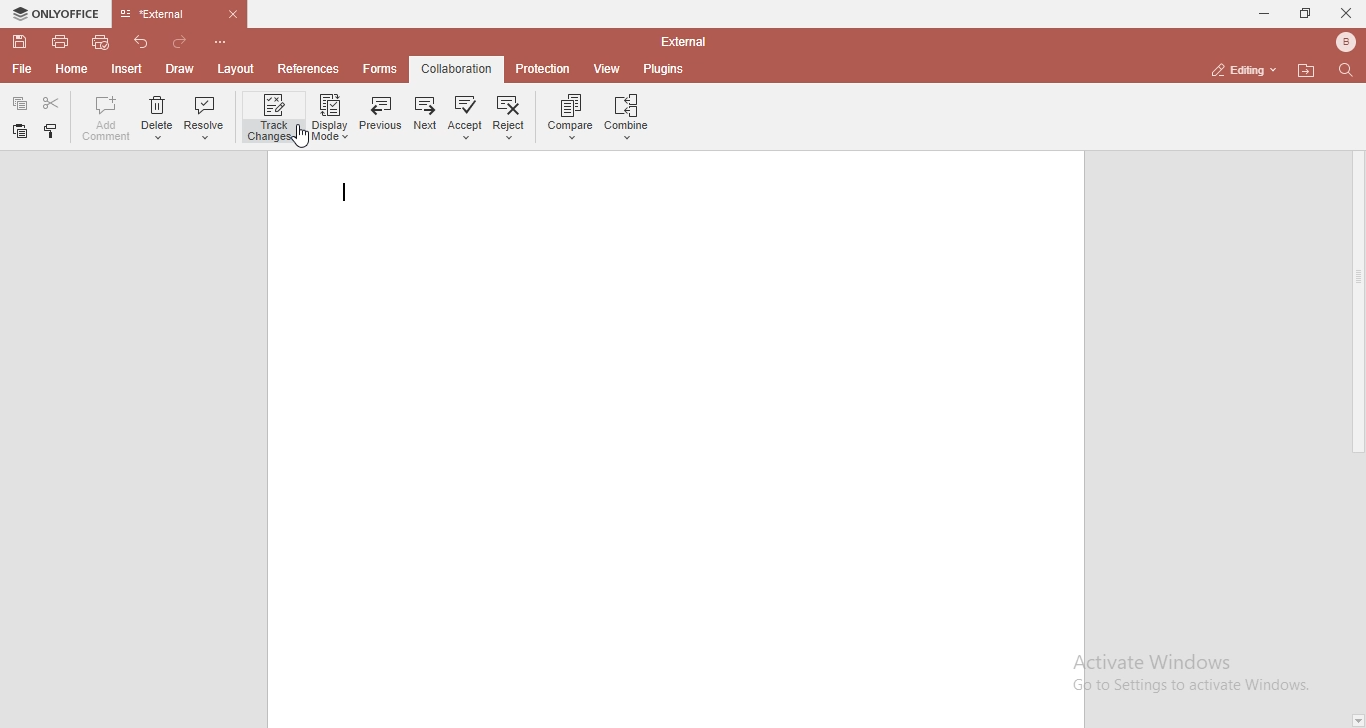 This screenshot has height=728, width=1366. What do you see at coordinates (26, 71) in the screenshot?
I see `file` at bounding box center [26, 71].